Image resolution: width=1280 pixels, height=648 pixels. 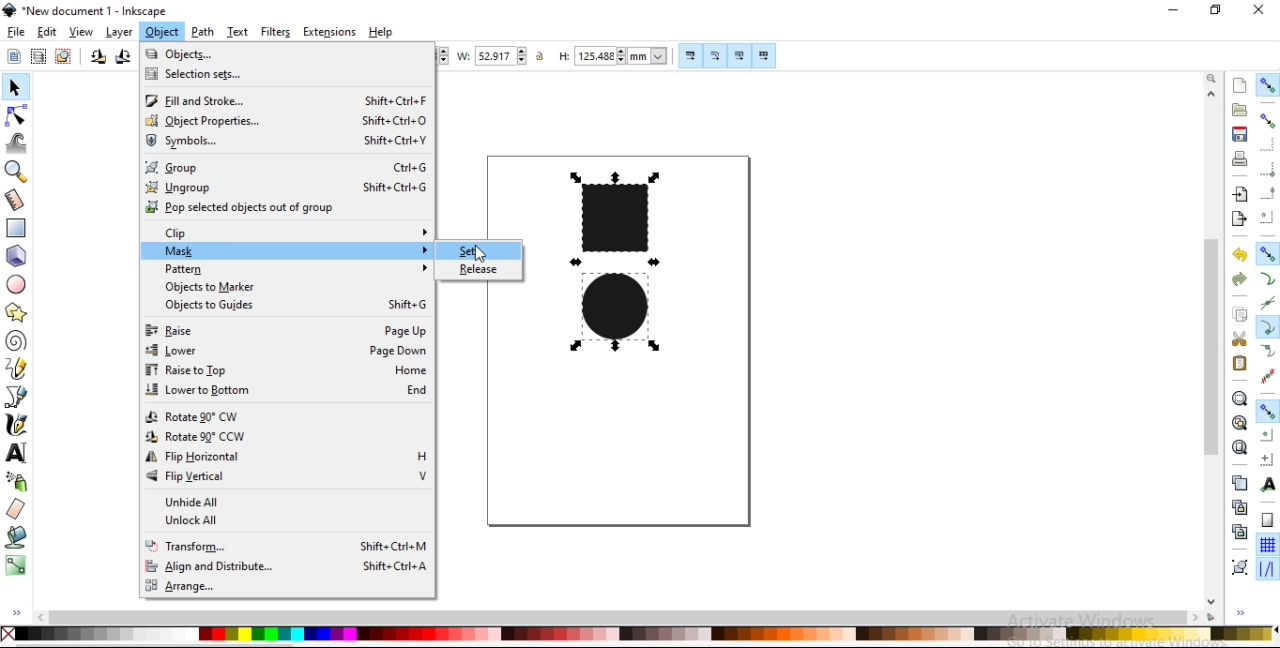 What do you see at coordinates (285, 142) in the screenshot?
I see `symbols` at bounding box center [285, 142].